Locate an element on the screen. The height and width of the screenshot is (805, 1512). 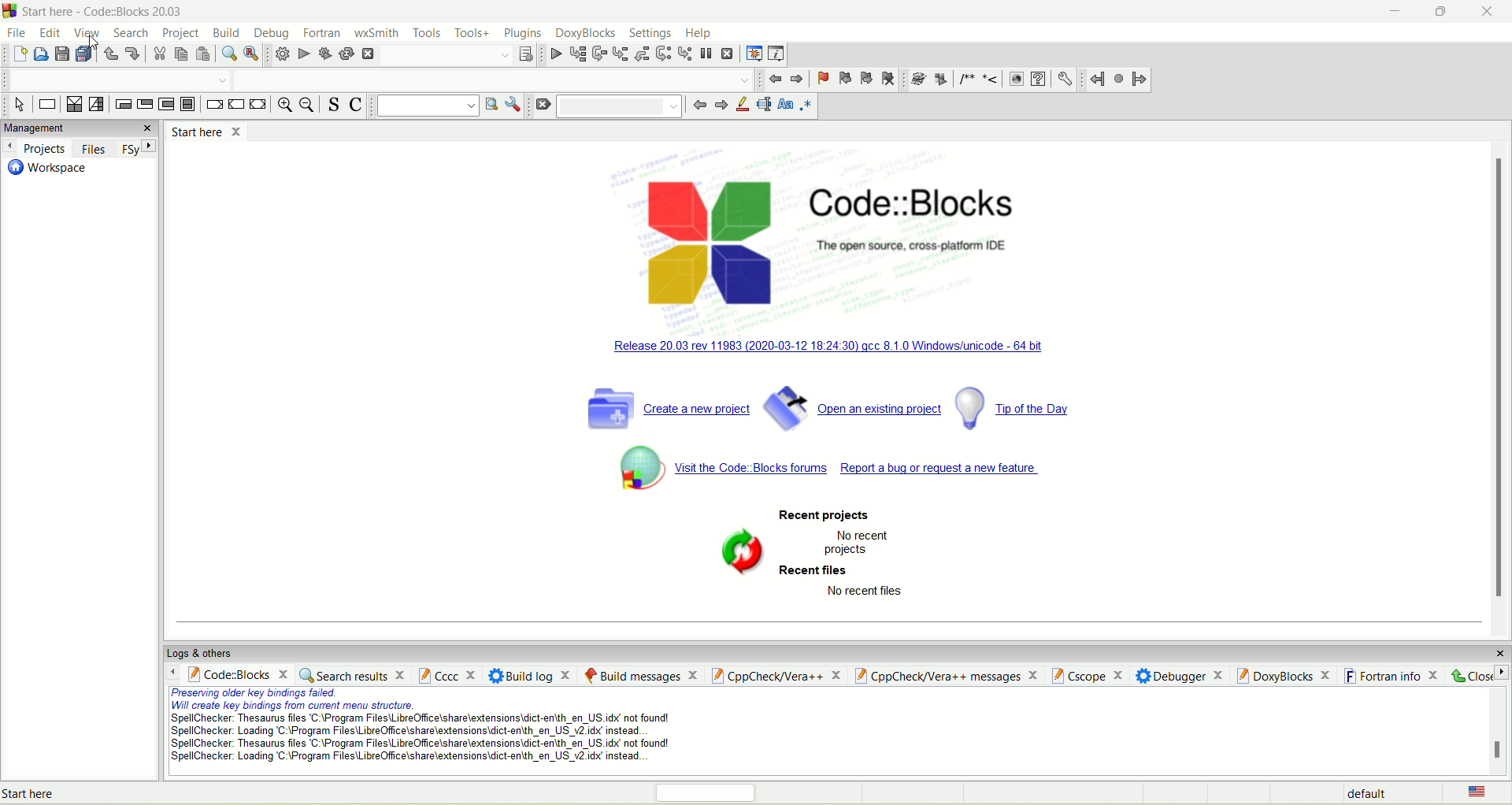
Search is located at coordinates (624, 106).